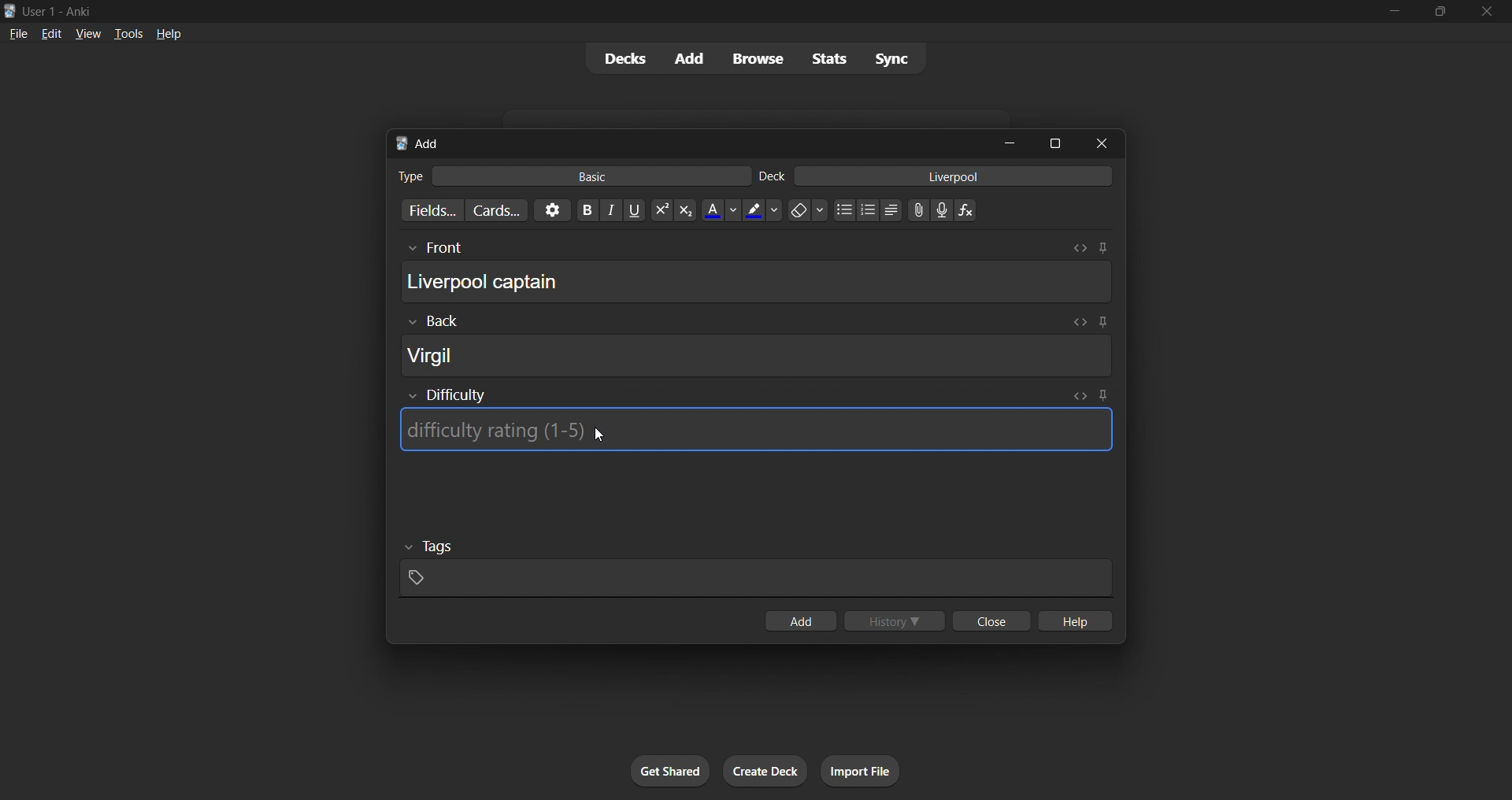 The width and height of the screenshot is (1512, 800). Describe the element at coordinates (88, 33) in the screenshot. I see `view` at that location.